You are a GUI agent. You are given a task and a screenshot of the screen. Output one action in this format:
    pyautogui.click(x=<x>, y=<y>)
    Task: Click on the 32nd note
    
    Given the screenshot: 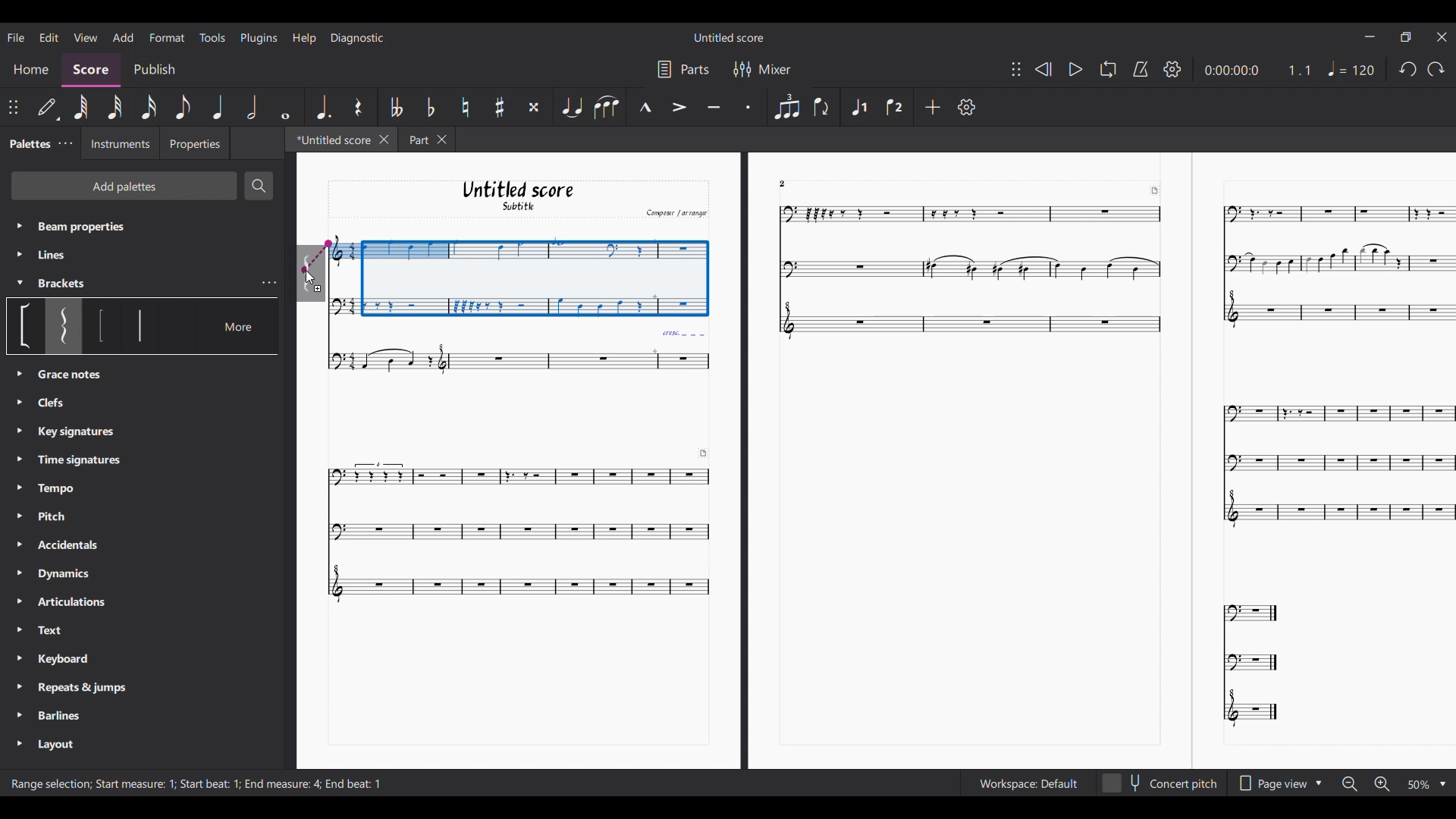 What is the action you would take?
    pyautogui.click(x=116, y=107)
    